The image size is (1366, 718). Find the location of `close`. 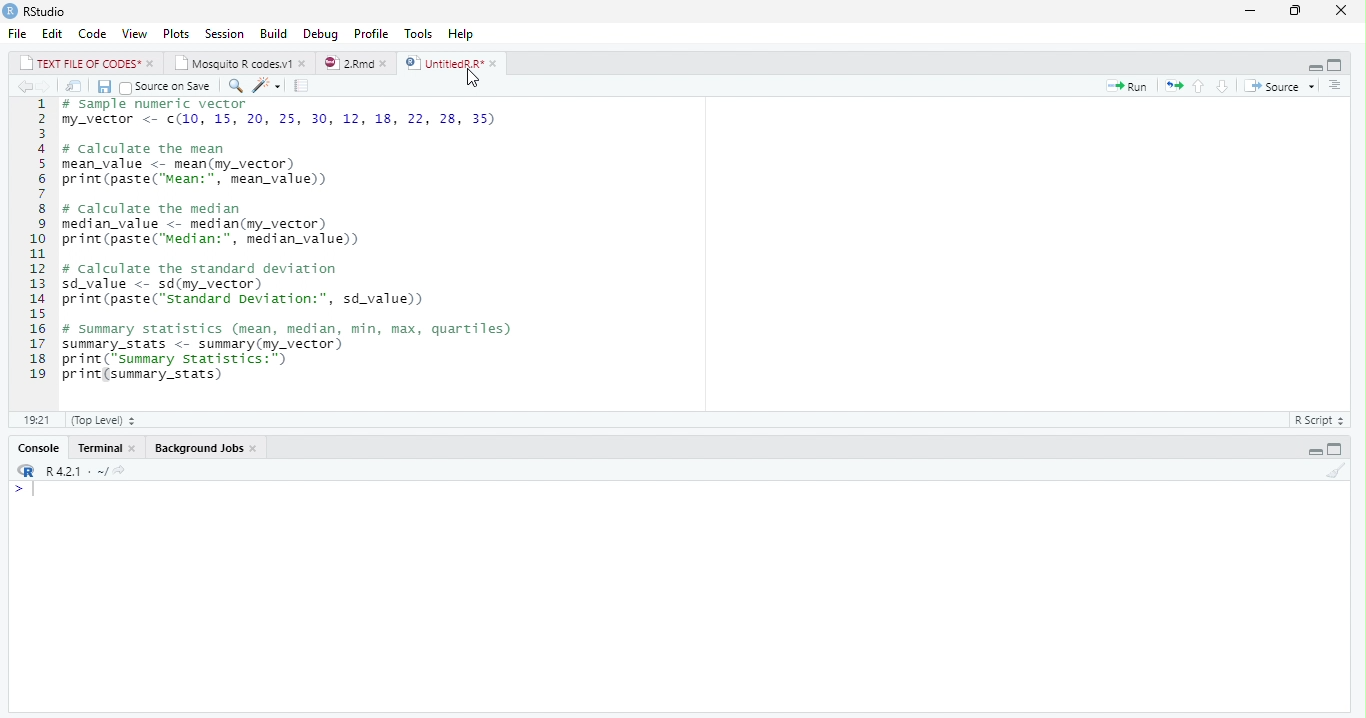

close is located at coordinates (496, 64).